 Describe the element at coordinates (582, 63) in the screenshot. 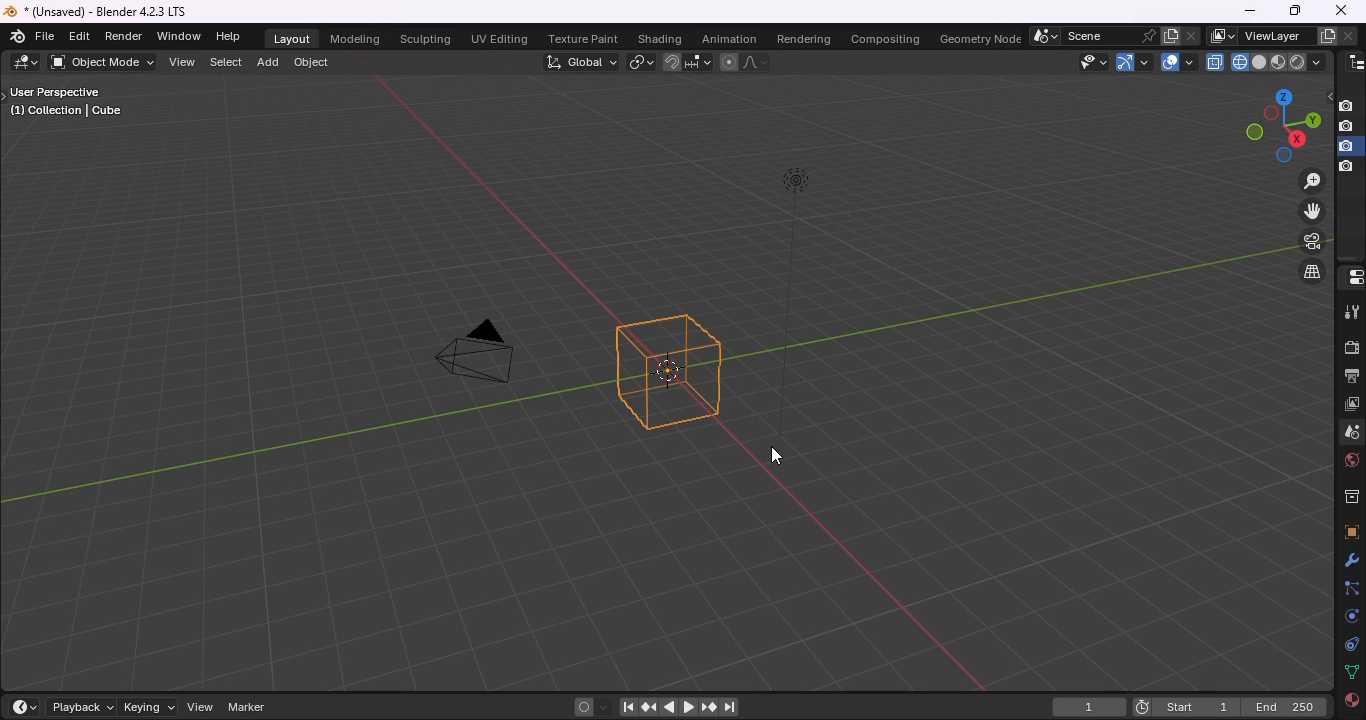

I see `Global` at that location.